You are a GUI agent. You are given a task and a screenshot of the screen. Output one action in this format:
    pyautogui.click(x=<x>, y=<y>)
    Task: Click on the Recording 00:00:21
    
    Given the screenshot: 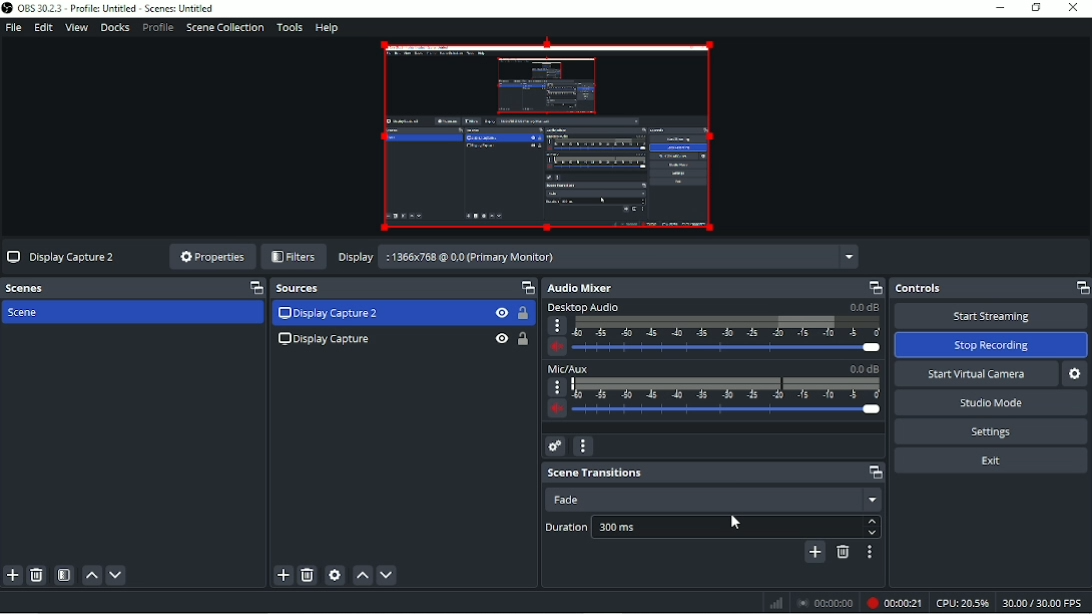 What is the action you would take?
    pyautogui.click(x=894, y=602)
    